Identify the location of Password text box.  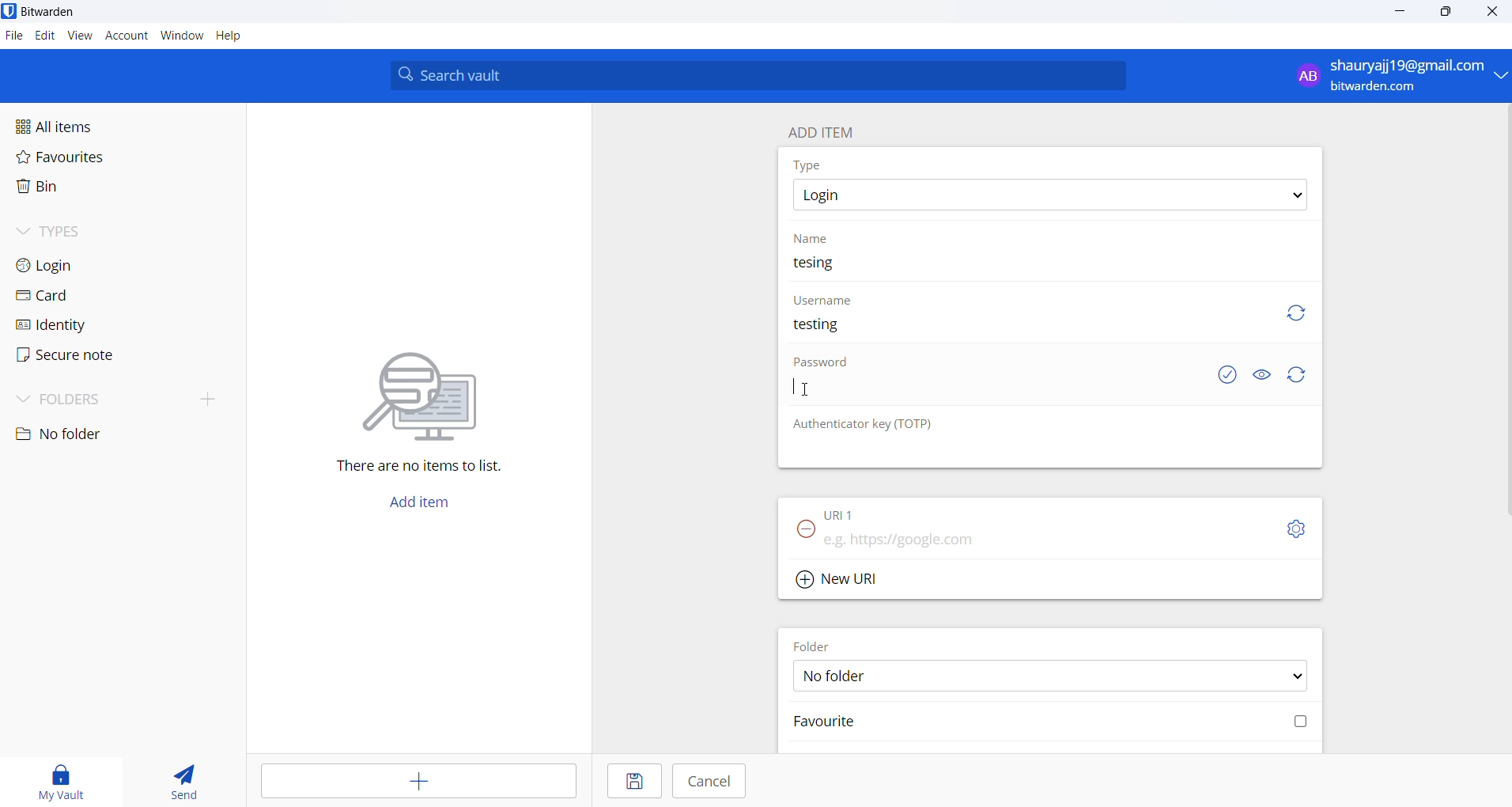
(992, 396).